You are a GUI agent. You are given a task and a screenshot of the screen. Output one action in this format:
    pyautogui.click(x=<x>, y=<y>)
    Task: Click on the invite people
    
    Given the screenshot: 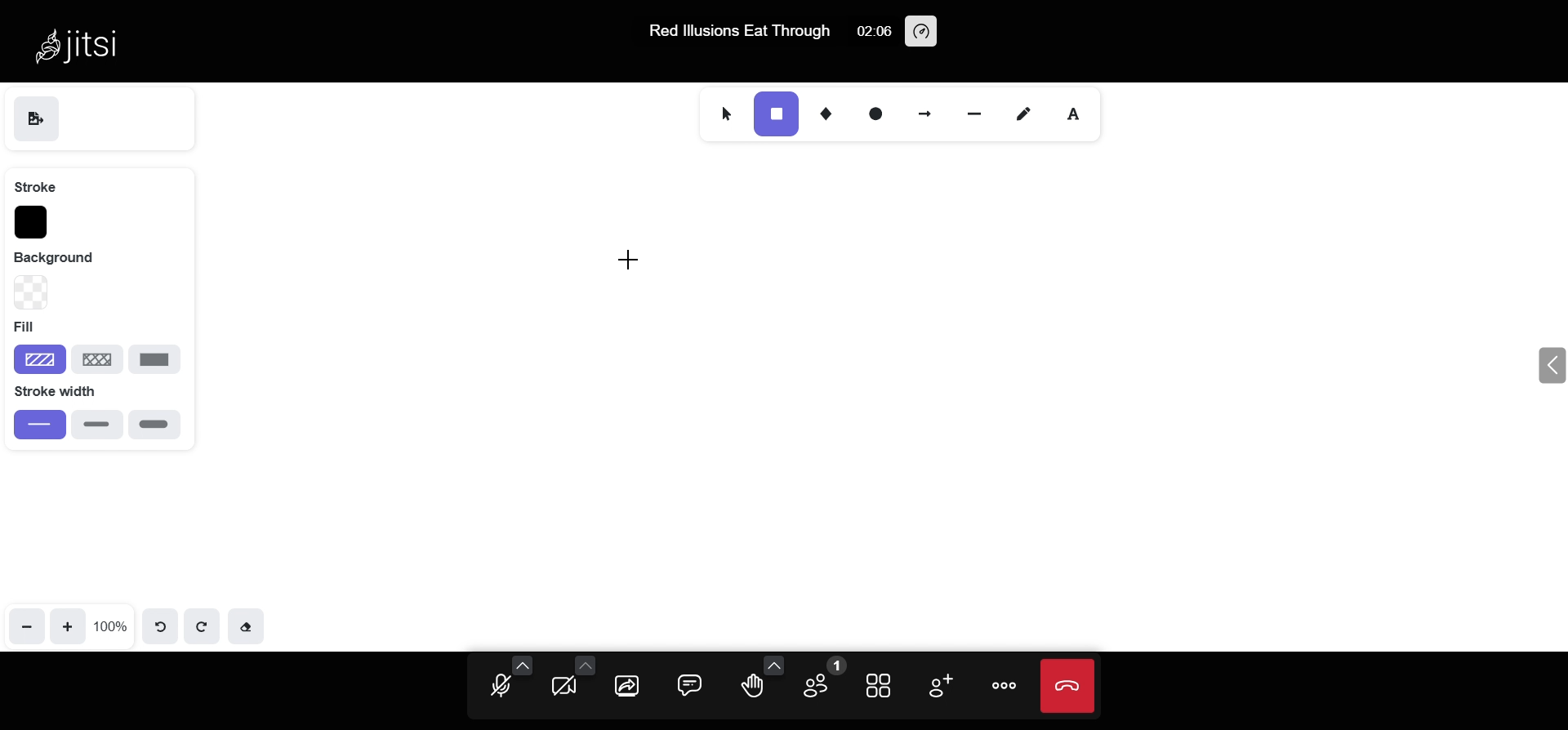 What is the action you would take?
    pyautogui.click(x=938, y=686)
    